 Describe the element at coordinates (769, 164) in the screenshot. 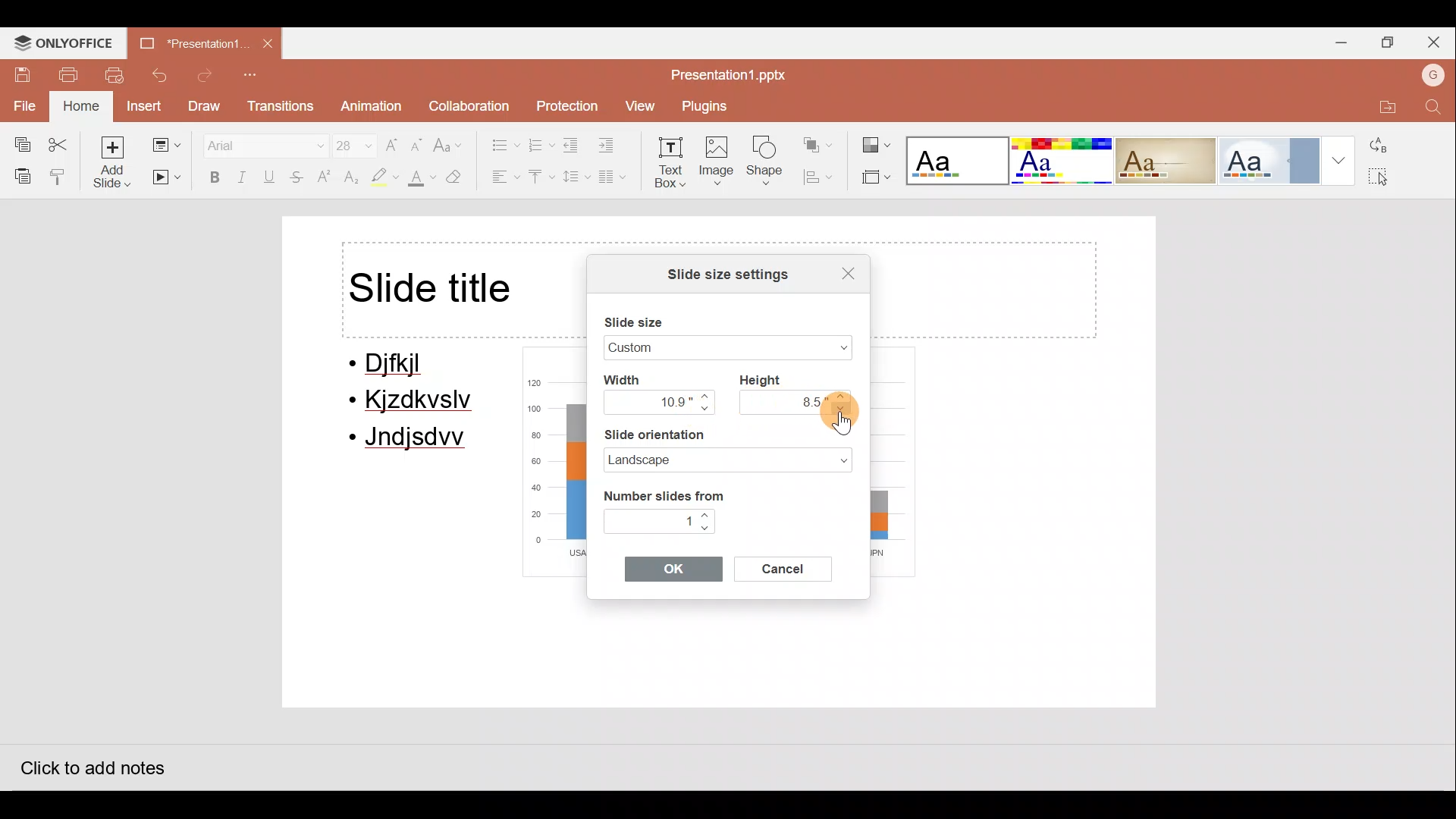

I see `Shape` at that location.